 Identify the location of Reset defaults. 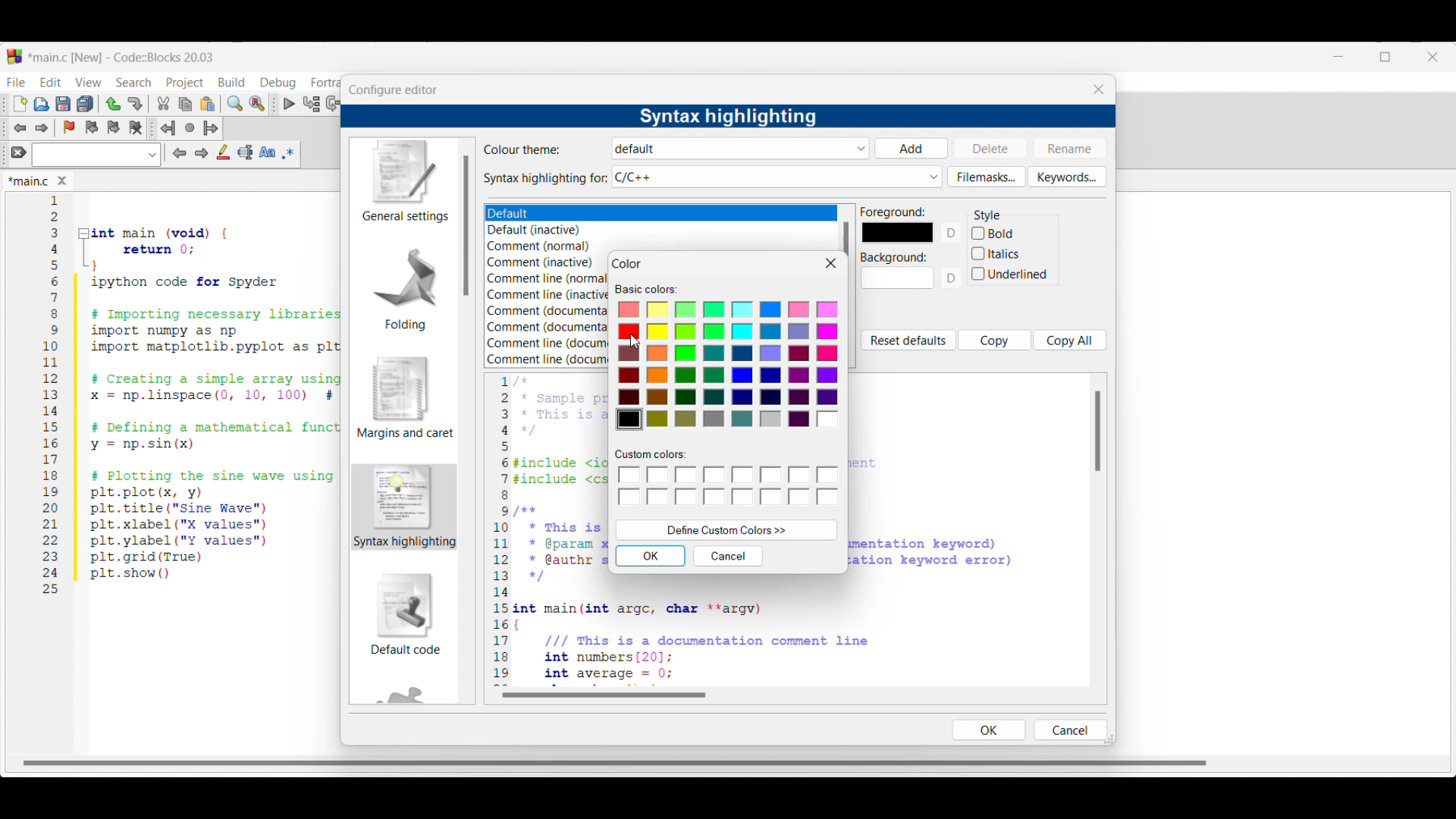
(908, 340).